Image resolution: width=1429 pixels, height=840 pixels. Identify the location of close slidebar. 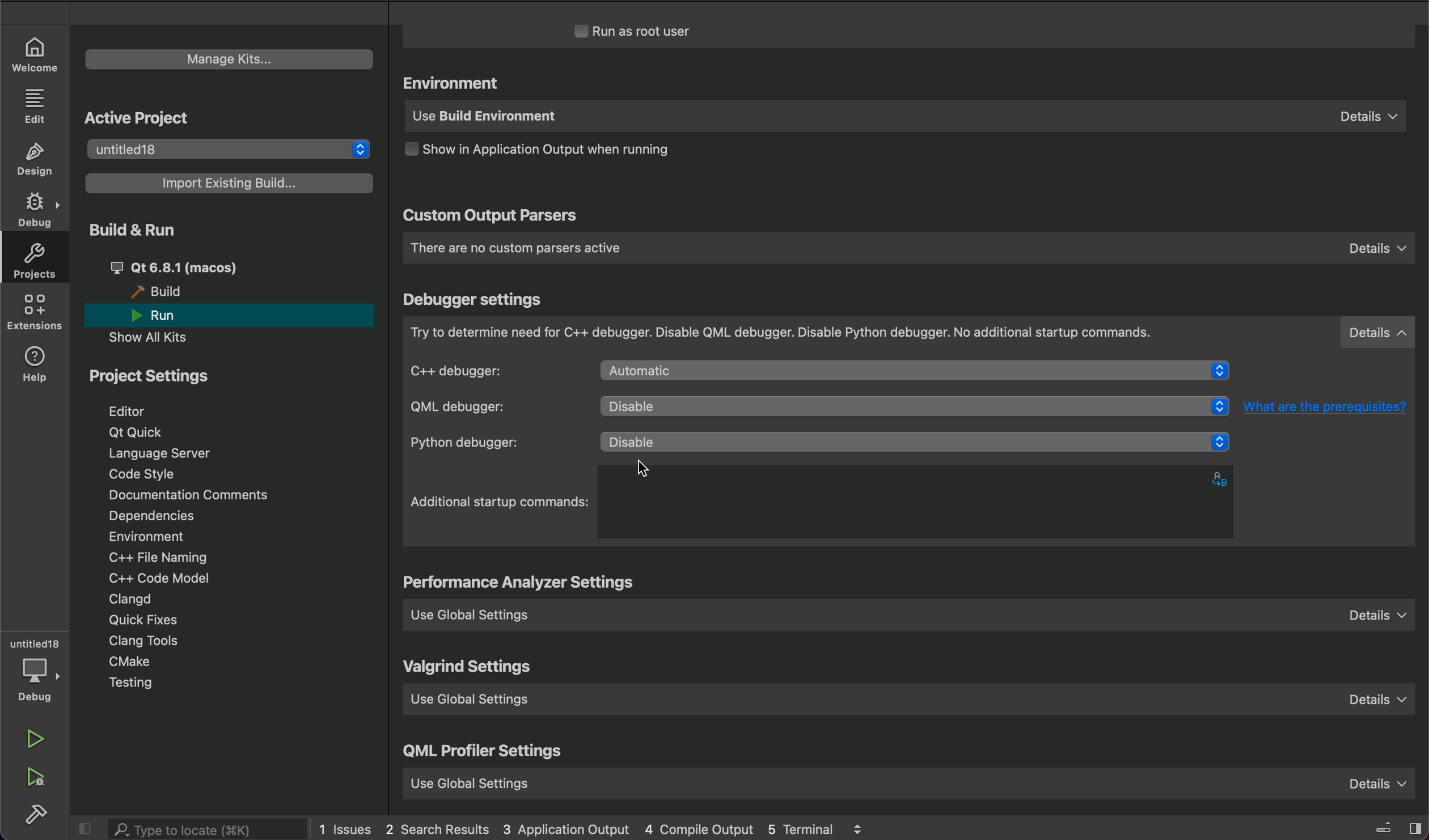
(1384, 826).